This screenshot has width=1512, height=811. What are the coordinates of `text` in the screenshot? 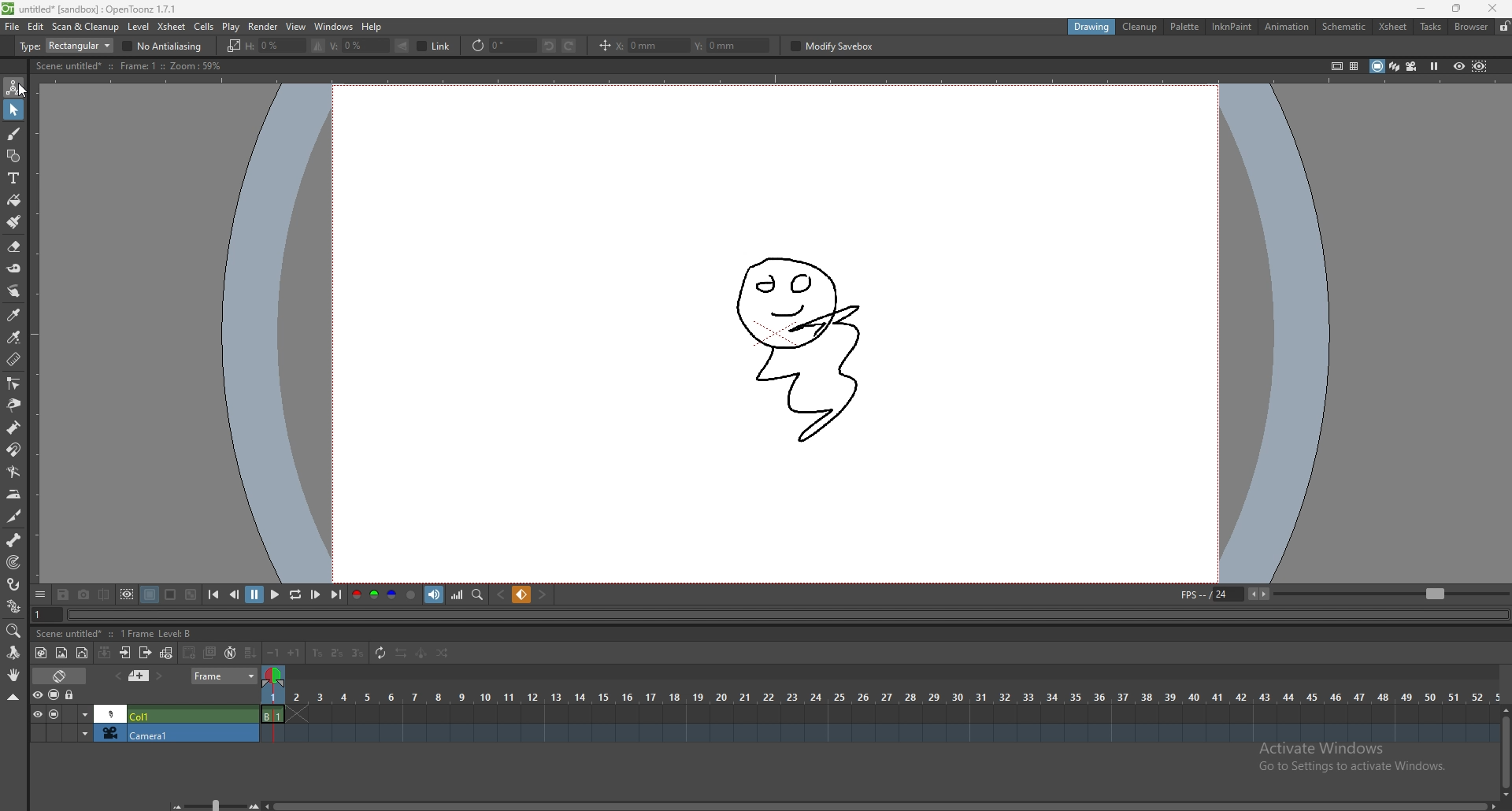 It's located at (14, 178).